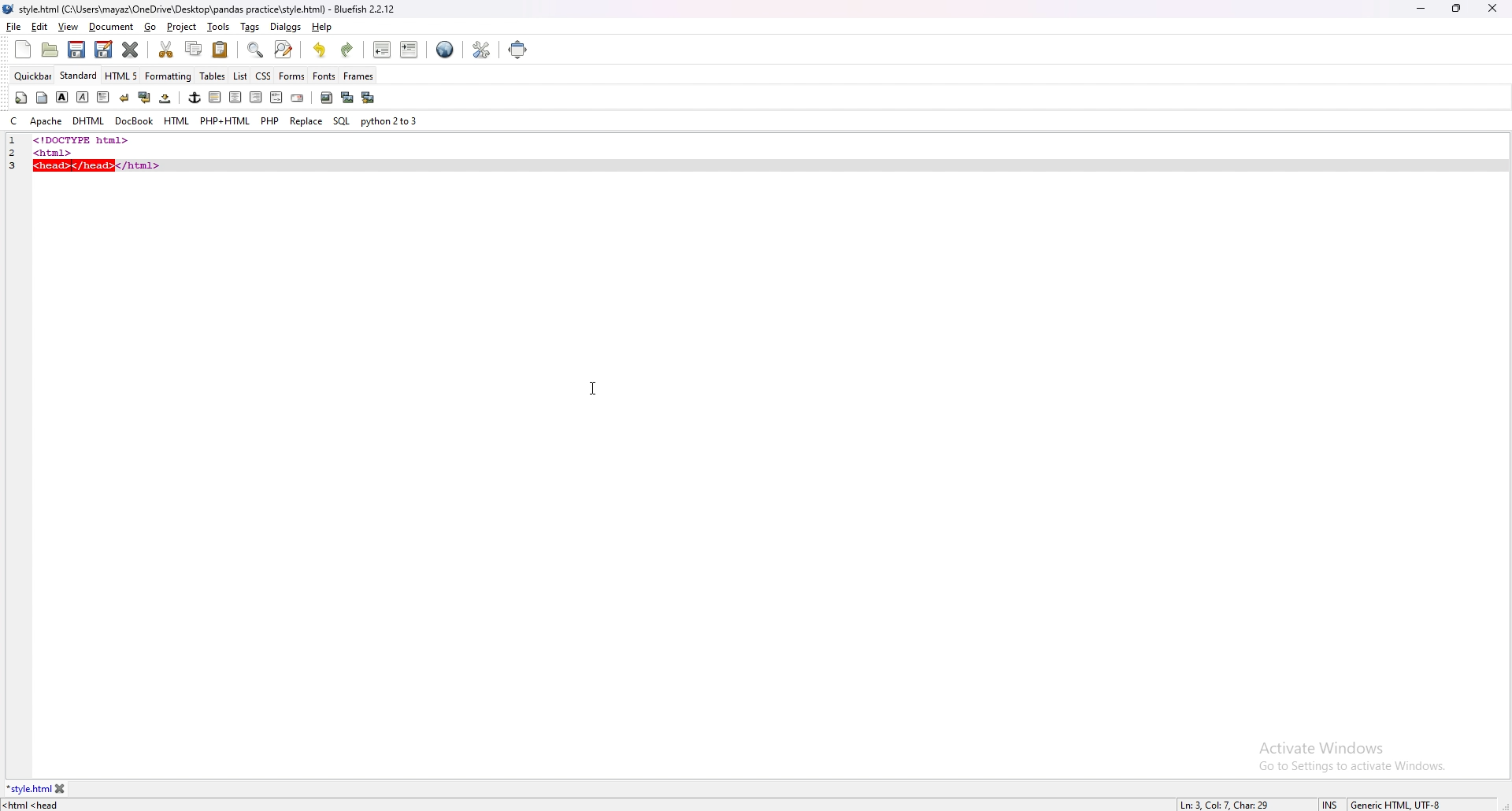  Describe the element at coordinates (306, 120) in the screenshot. I see `replace` at that location.